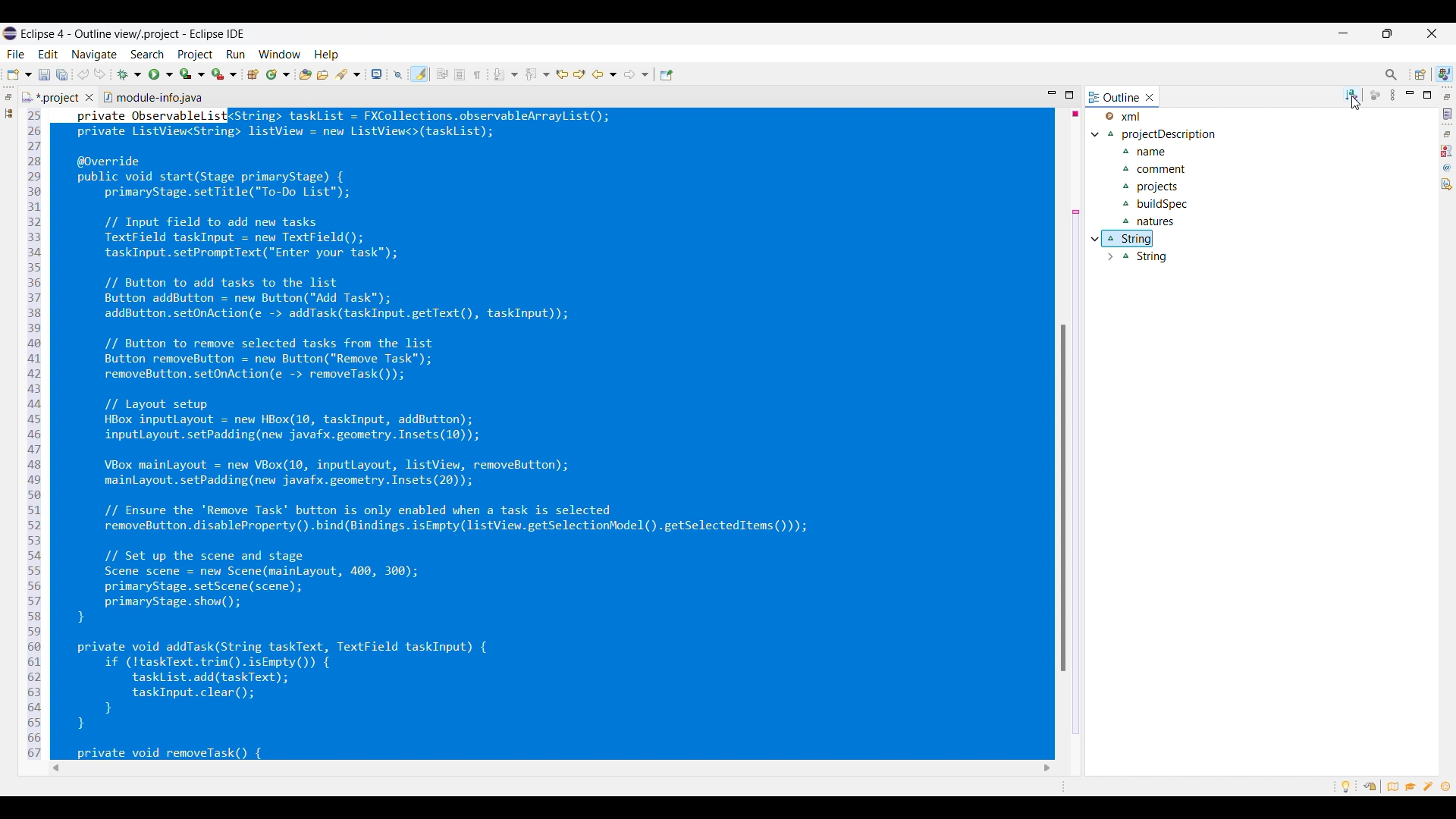 The width and height of the screenshot is (1456, 819). What do you see at coordinates (1448, 134) in the screenshot?
I see `Restore` at bounding box center [1448, 134].